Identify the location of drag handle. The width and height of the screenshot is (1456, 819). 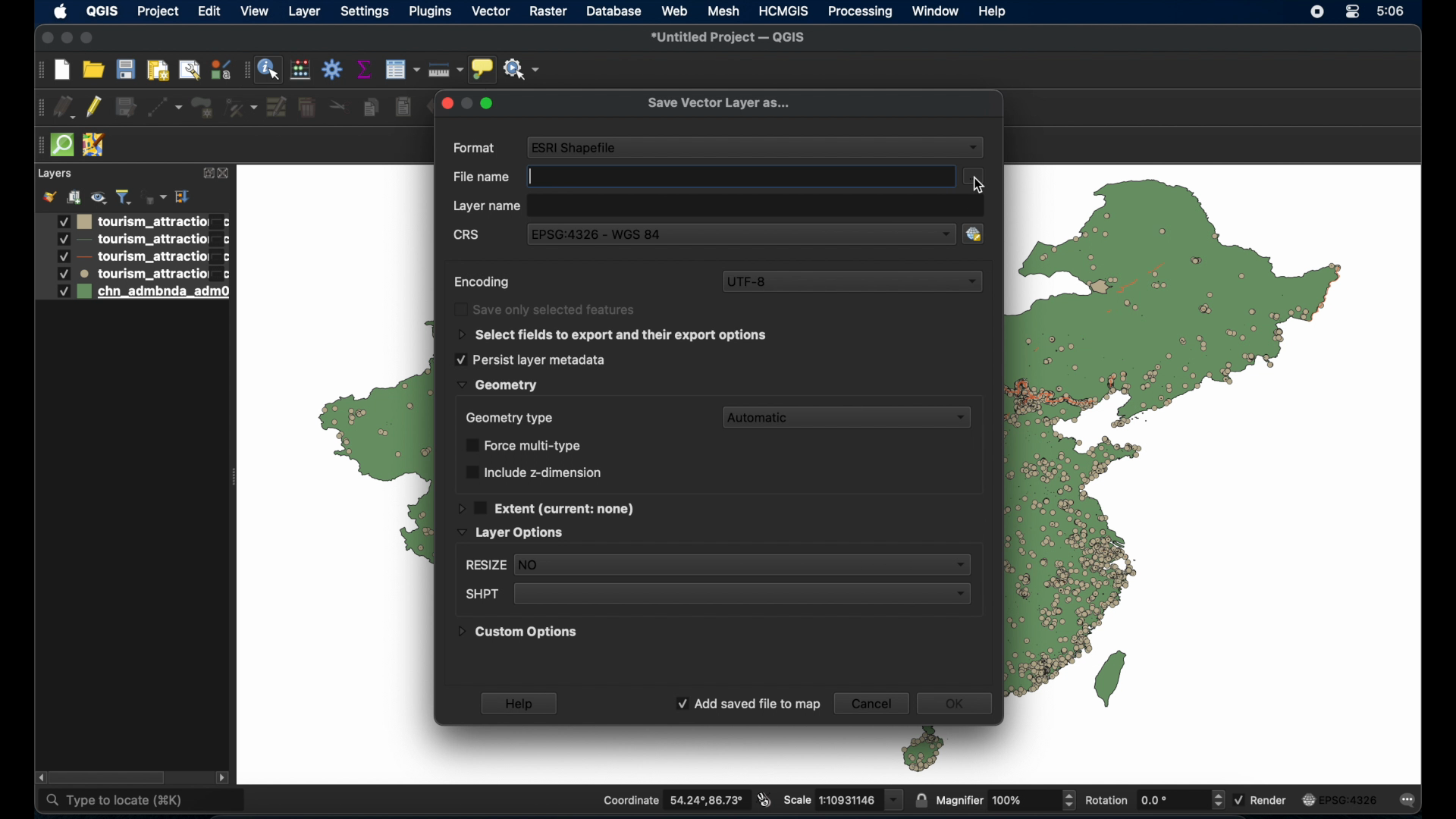
(245, 70).